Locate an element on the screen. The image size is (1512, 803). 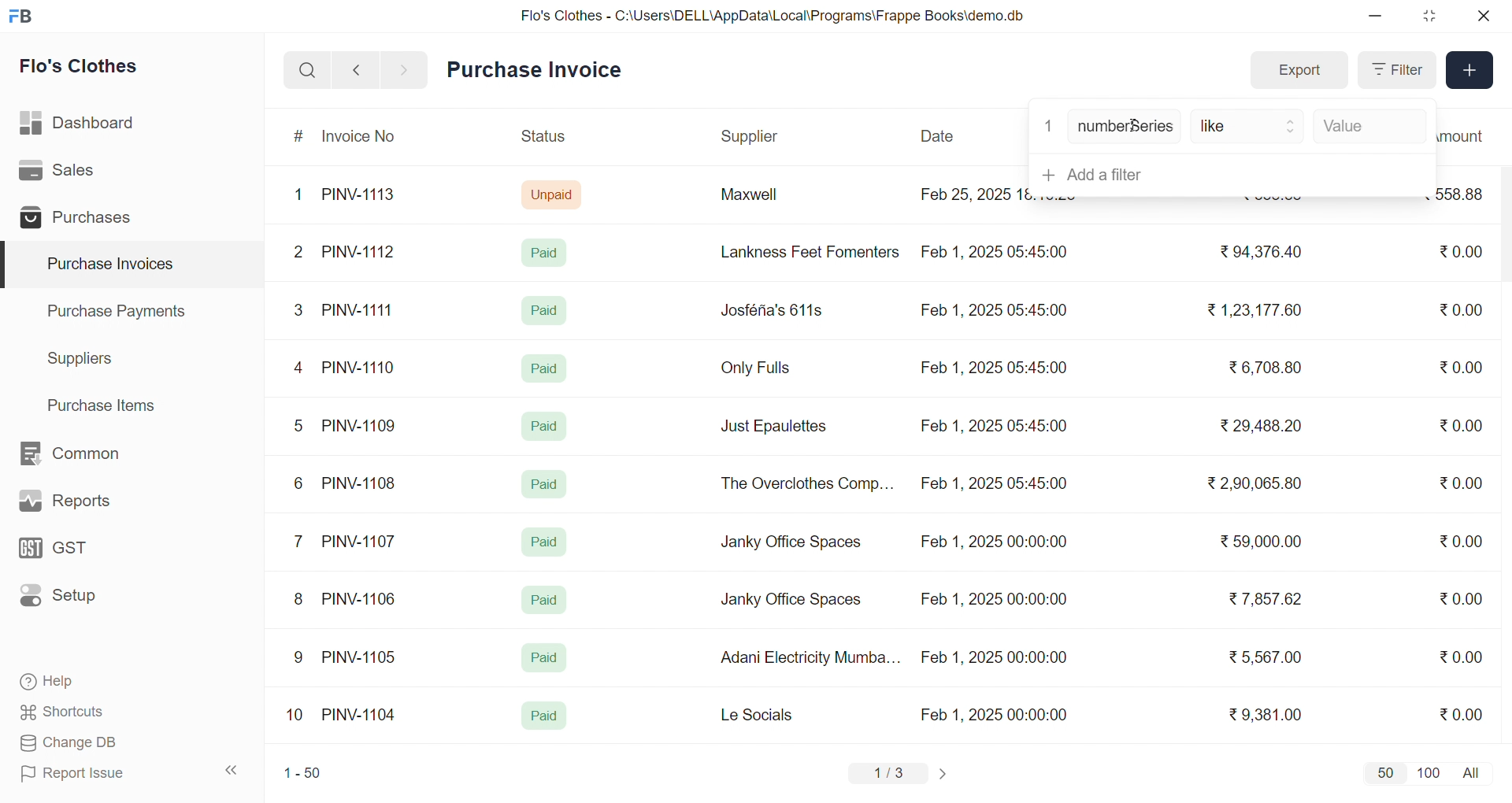
Janky Office Spaces is located at coordinates (792, 543).